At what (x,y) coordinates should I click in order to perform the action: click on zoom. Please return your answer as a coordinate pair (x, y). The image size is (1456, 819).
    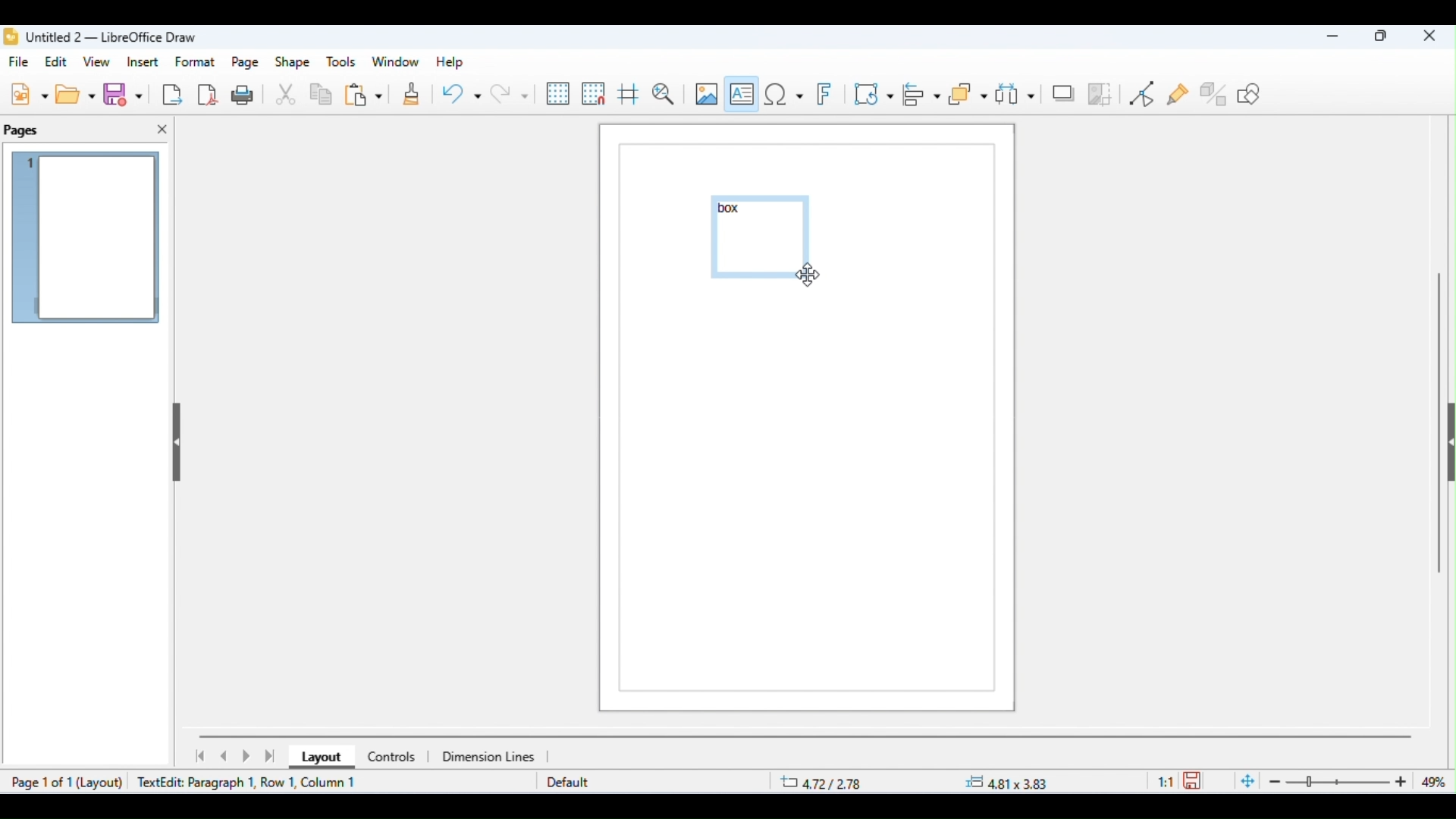
    Looking at the image, I should click on (1342, 782).